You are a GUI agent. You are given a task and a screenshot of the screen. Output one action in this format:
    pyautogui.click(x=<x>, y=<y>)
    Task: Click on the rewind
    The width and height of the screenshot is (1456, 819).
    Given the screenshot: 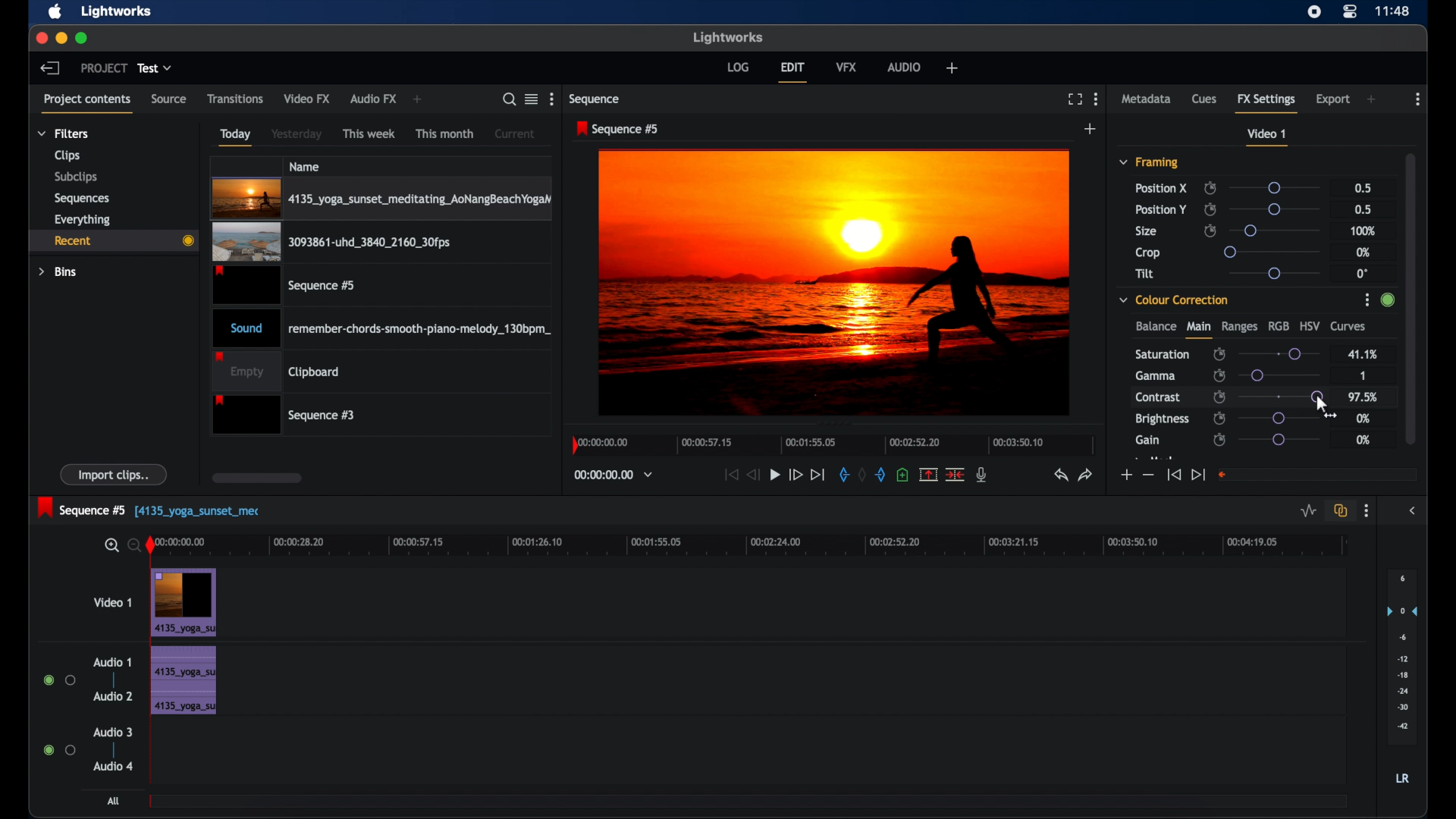 What is the action you would take?
    pyautogui.click(x=755, y=475)
    